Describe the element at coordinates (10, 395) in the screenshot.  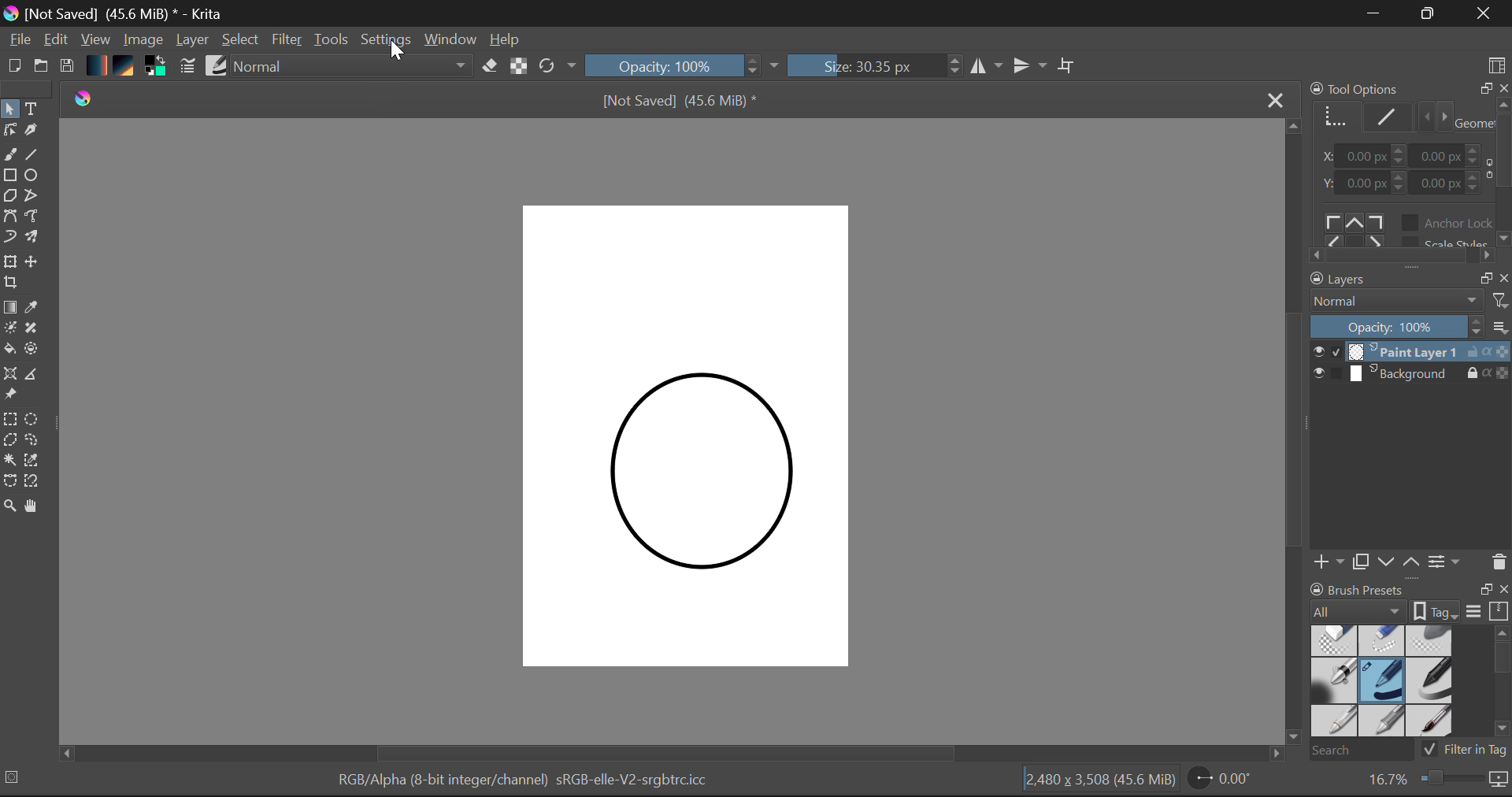
I see `Reference Images` at that location.